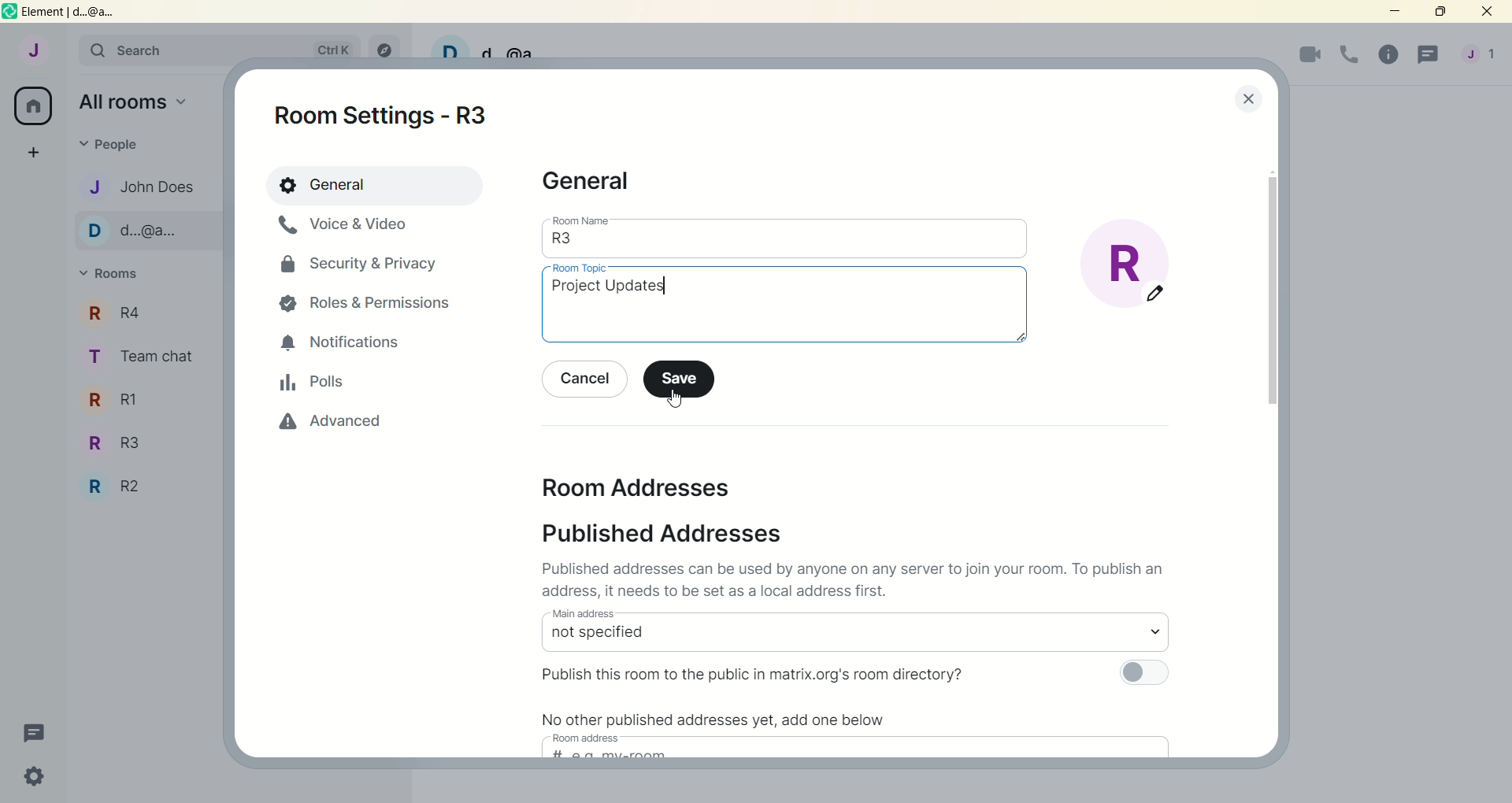 Image resolution: width=1512 pixels, height=803 pixels. I want to click on polls, so click(313, 380).